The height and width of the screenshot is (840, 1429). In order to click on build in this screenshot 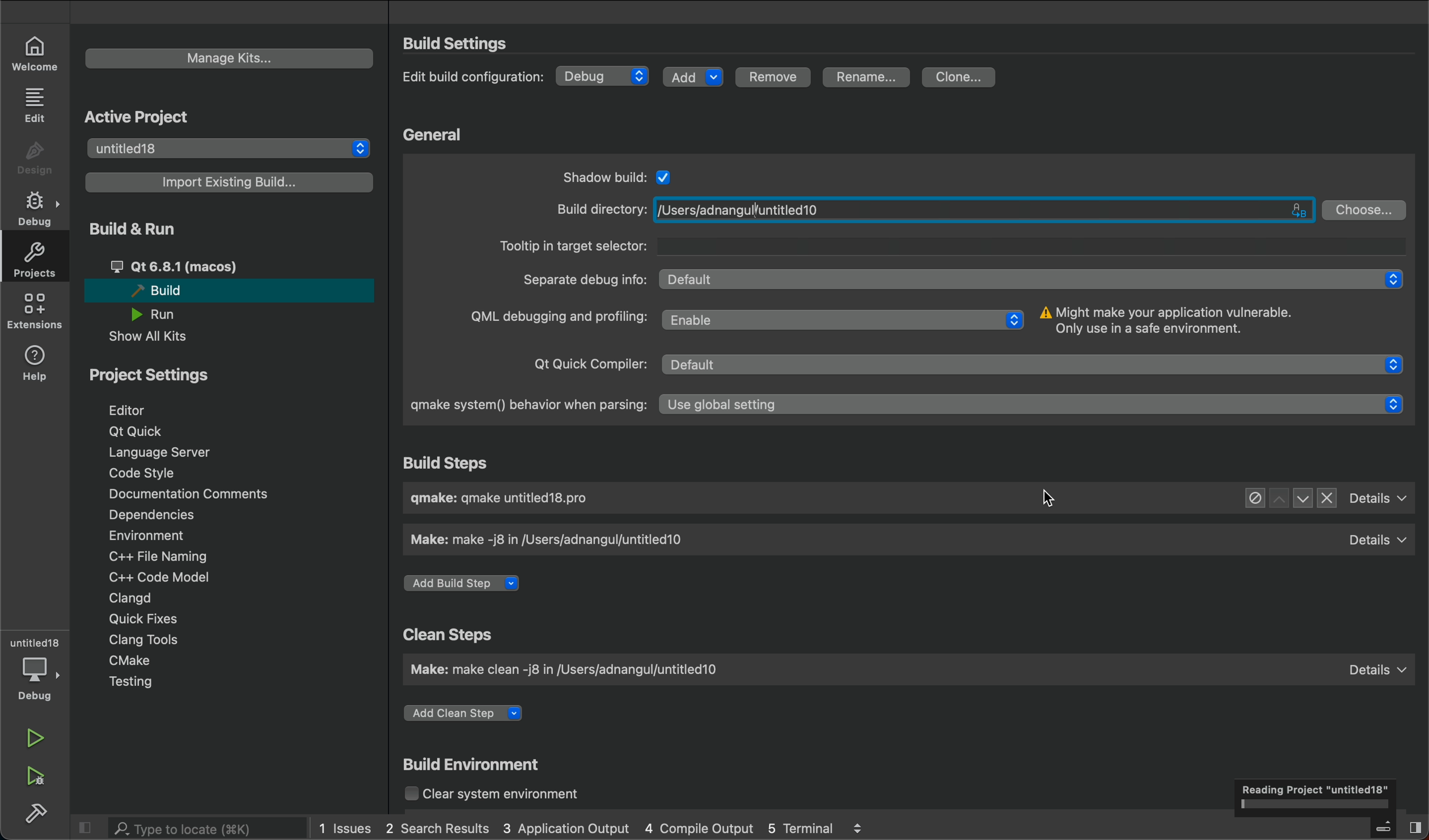, I will do `click(225, 292)`.